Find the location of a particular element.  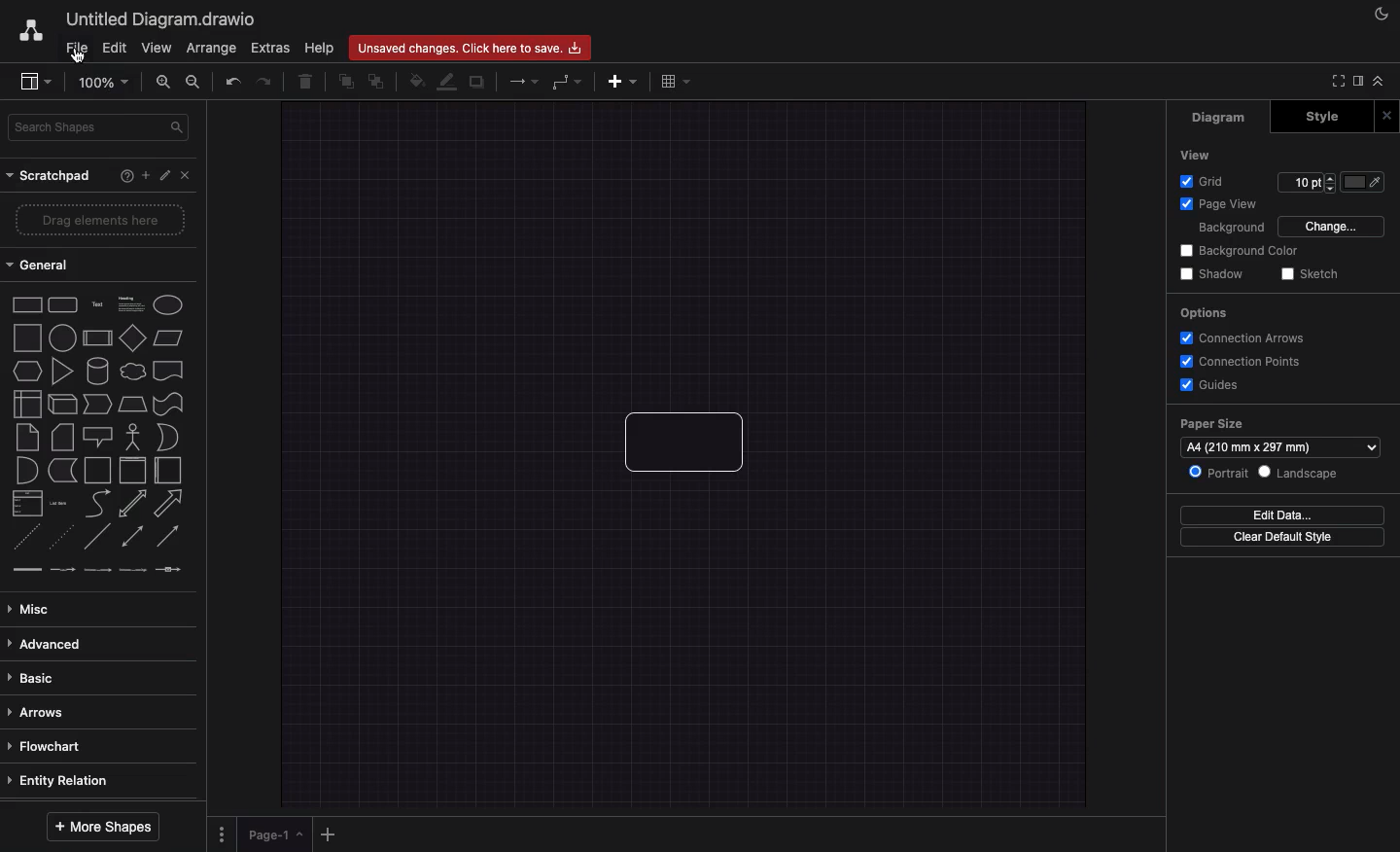

Sidebar is located at coordinates (36, 82).